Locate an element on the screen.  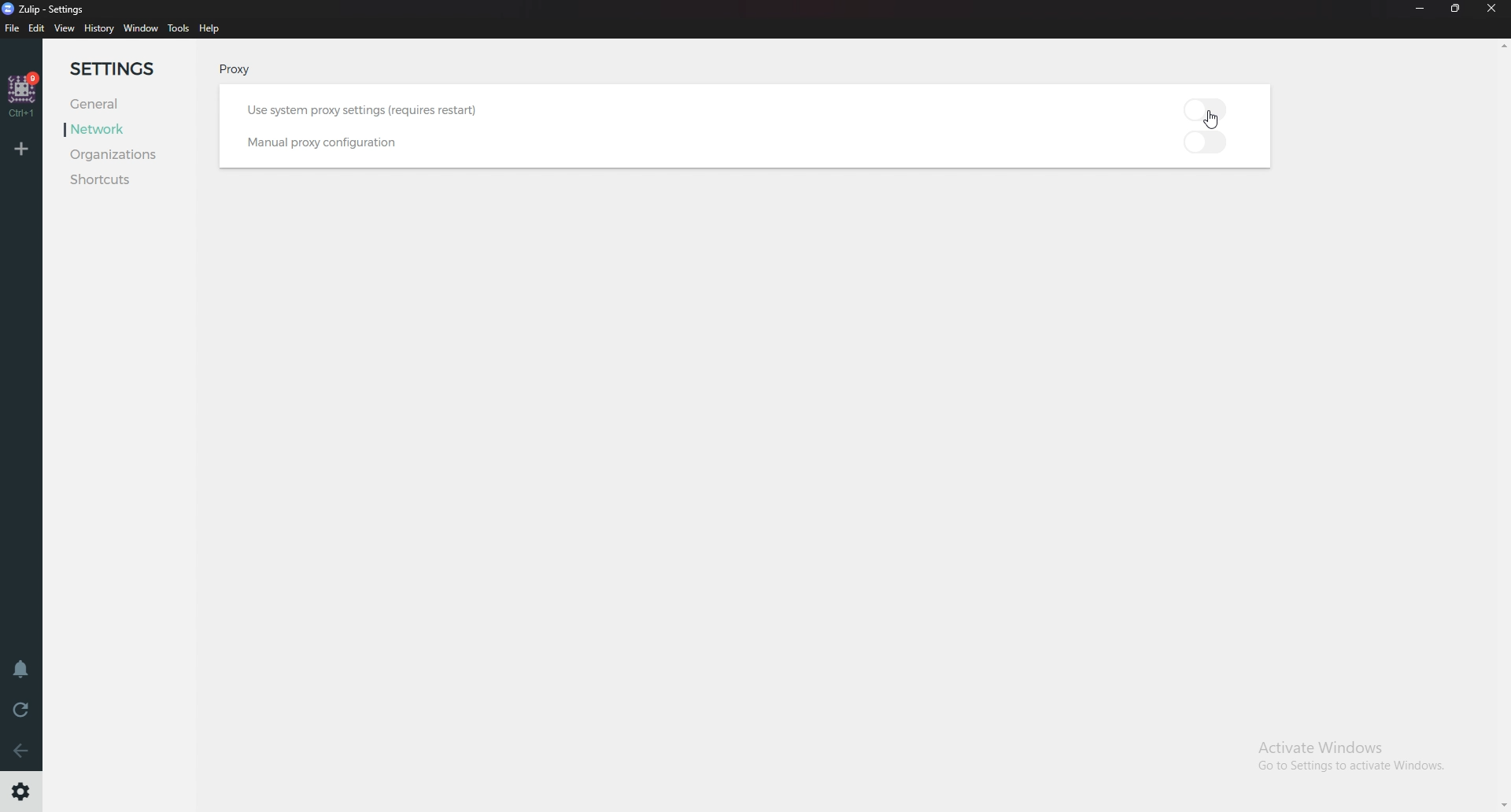
Settings is located at coordinates (22, 792).